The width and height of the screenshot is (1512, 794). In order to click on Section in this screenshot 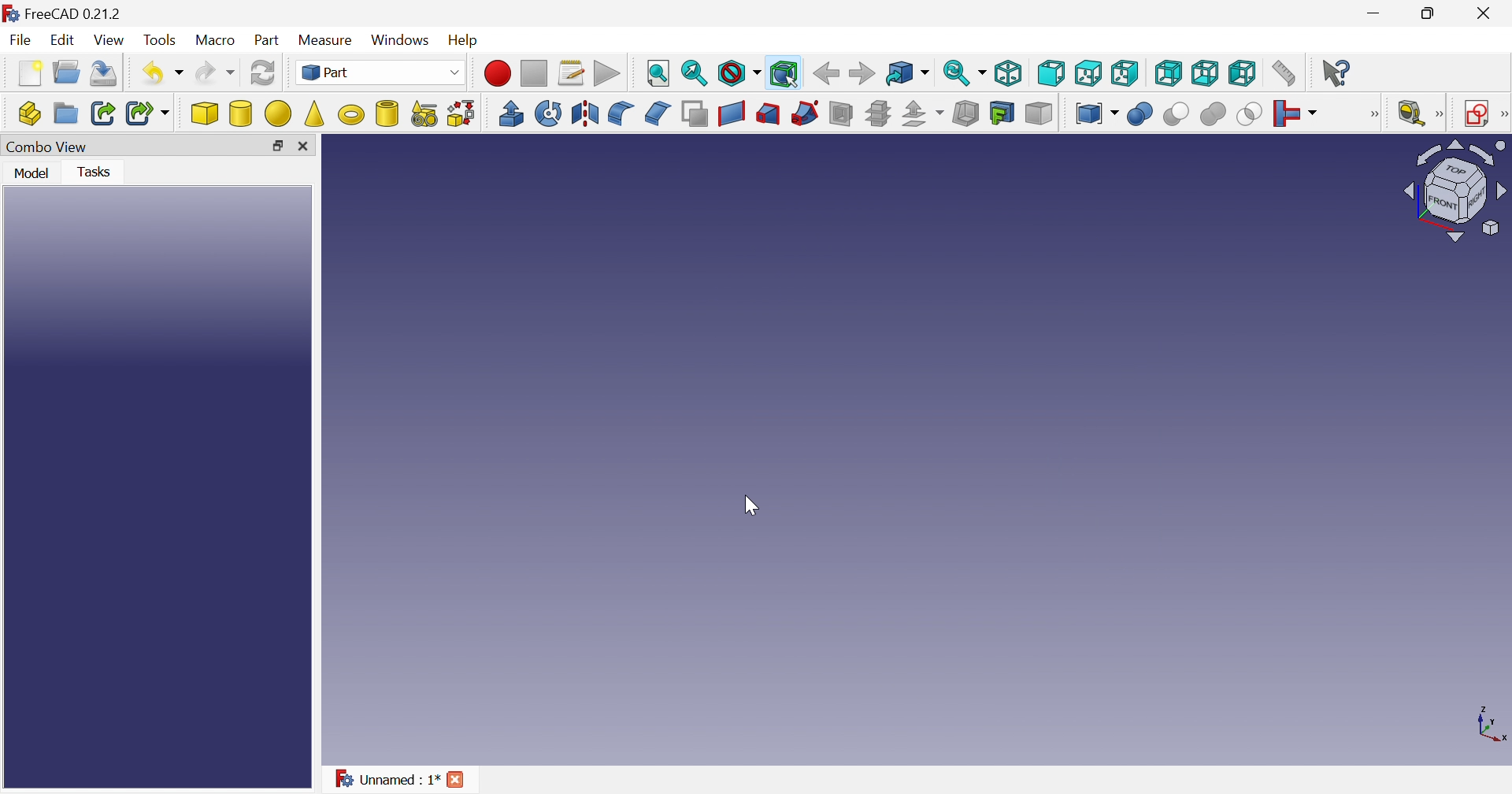, I will do `click(841, 113)`.